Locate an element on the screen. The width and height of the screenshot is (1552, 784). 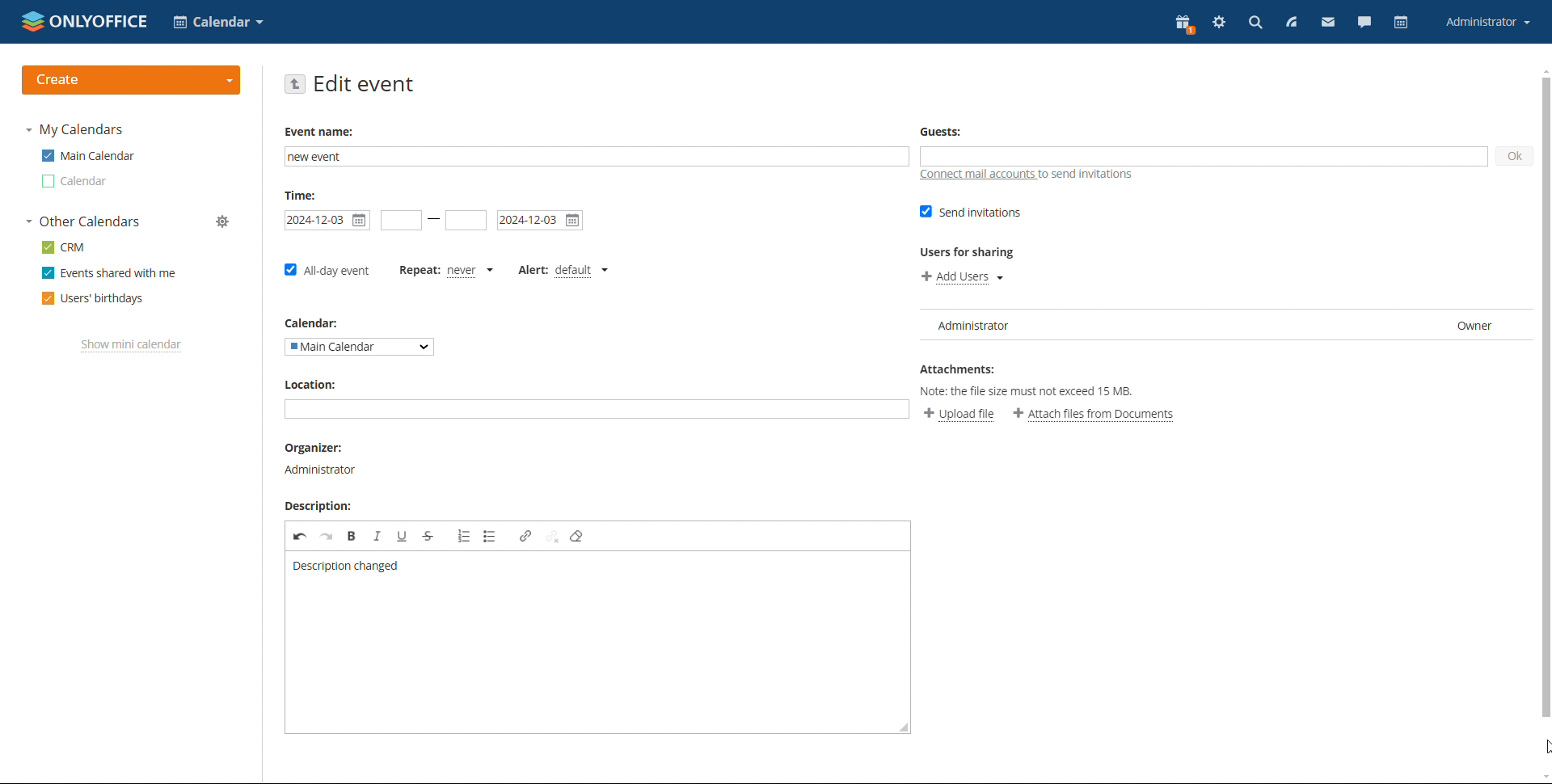
search is located at coordinates (1254, 23).